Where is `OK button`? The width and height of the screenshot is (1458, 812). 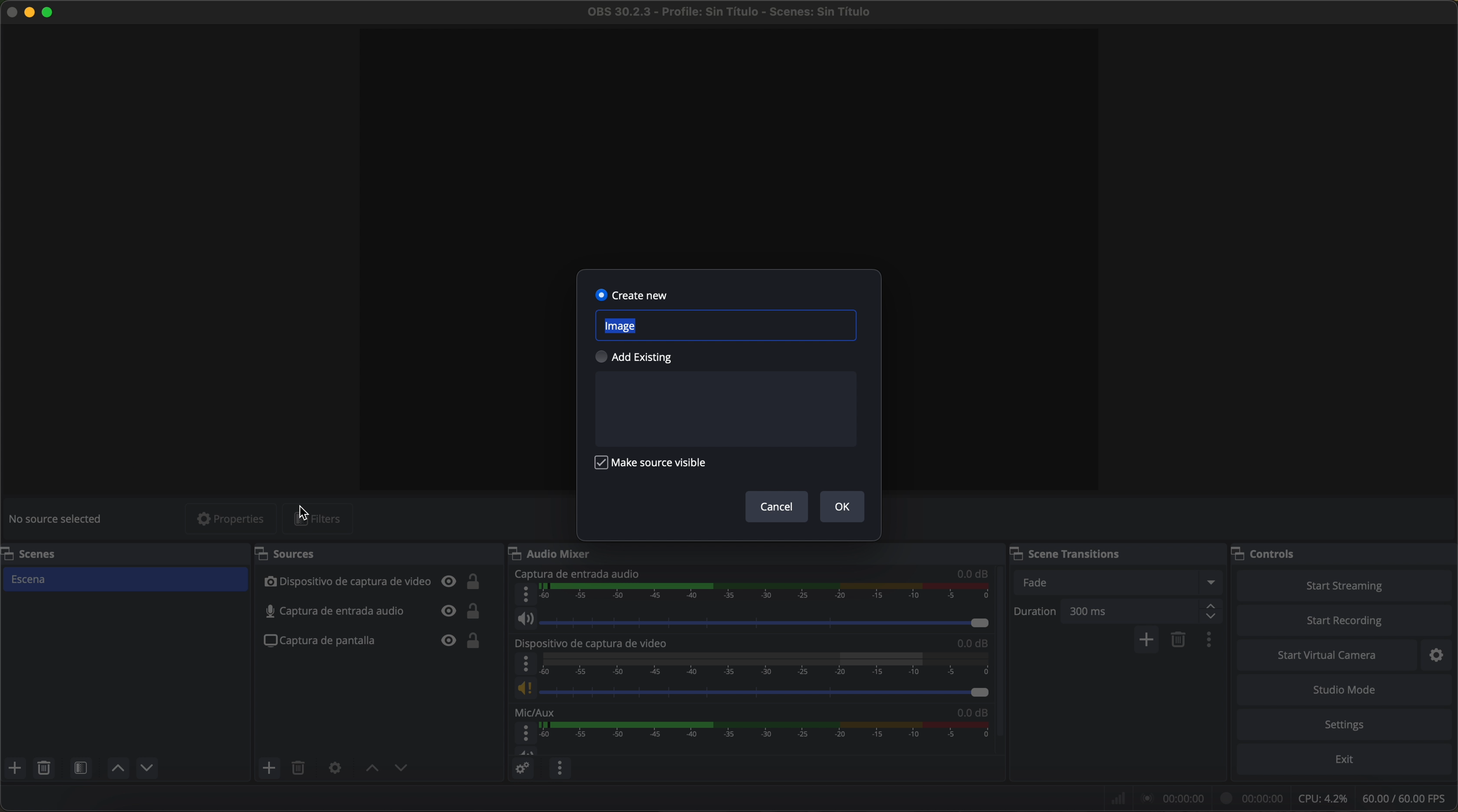
OK button is located at coordinates (843, 506).